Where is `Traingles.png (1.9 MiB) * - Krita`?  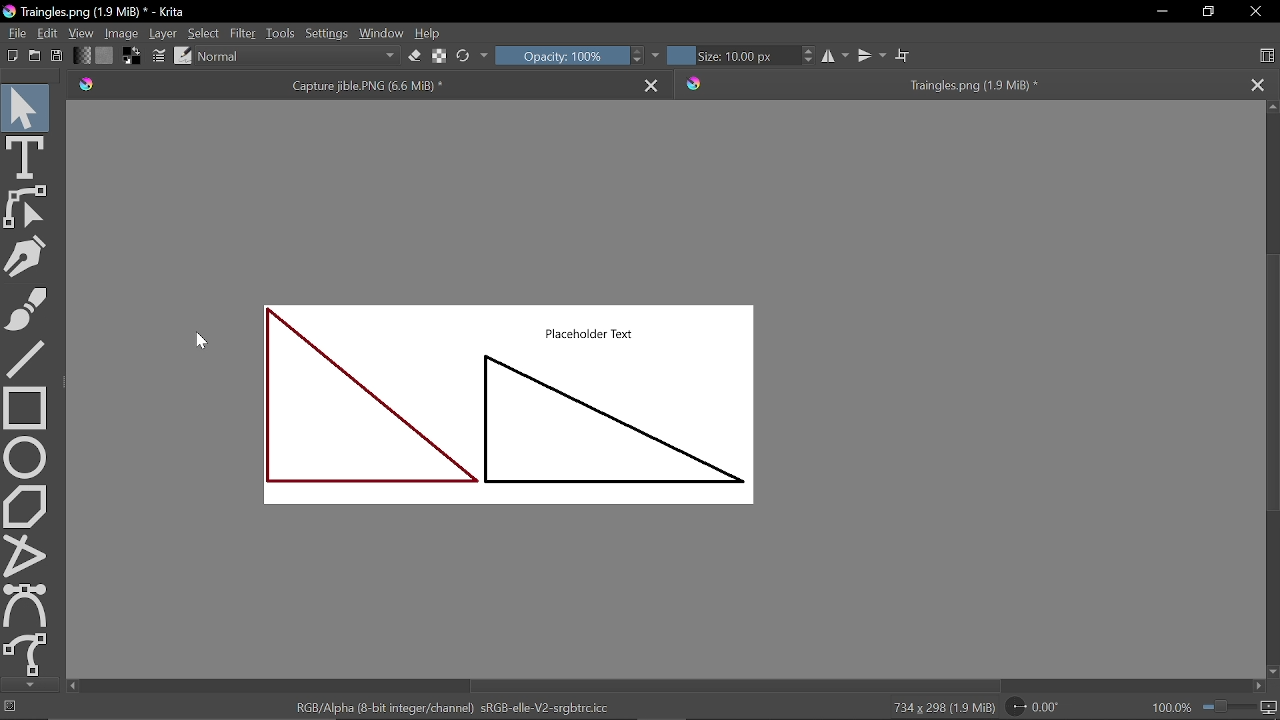
Traingles.png (1.9 MiB) * - Krita is located at coordinates (98, 12).